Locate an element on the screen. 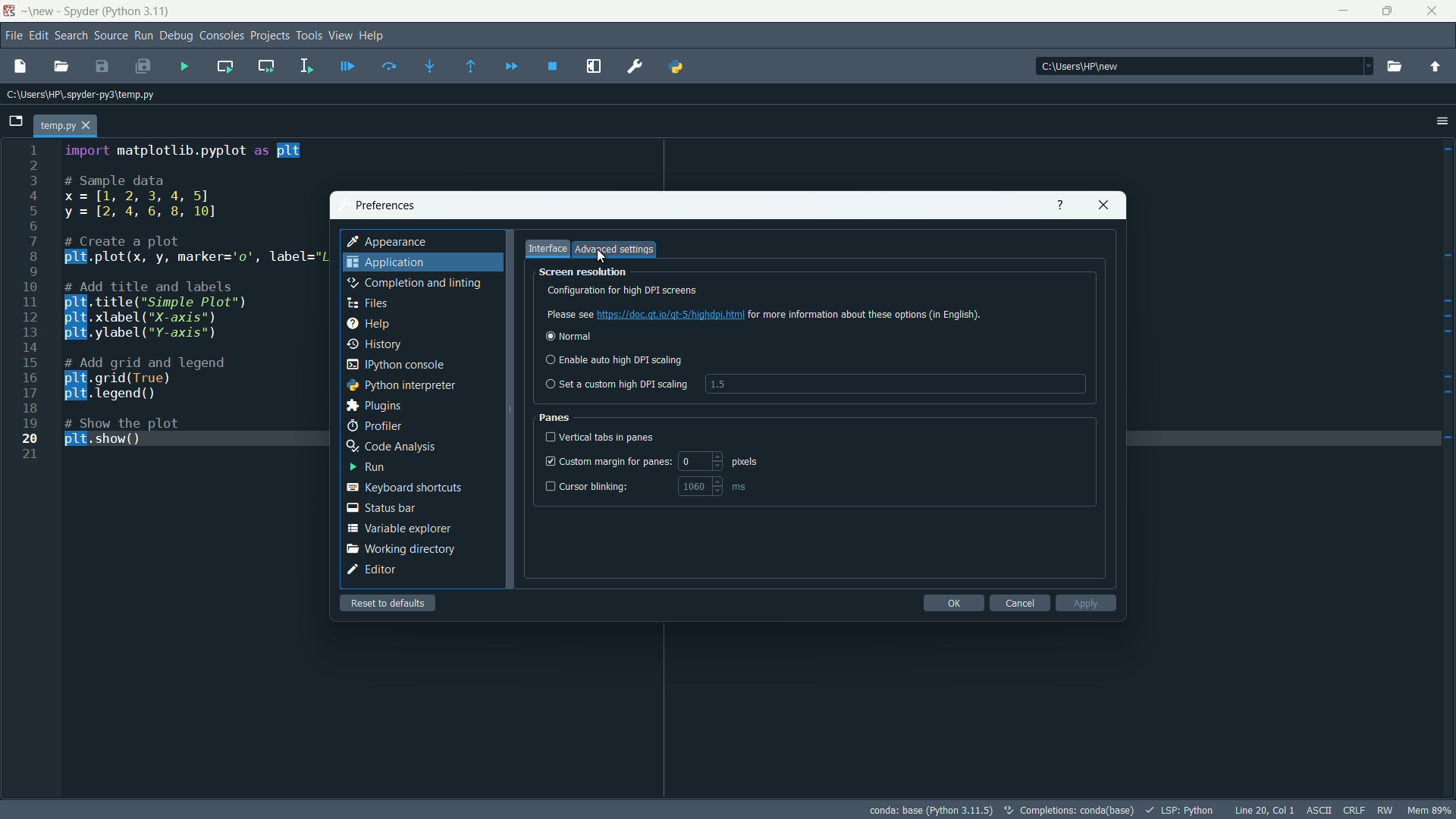 The image size is (1456, 819). file directory is located at coordinates (79, 95).